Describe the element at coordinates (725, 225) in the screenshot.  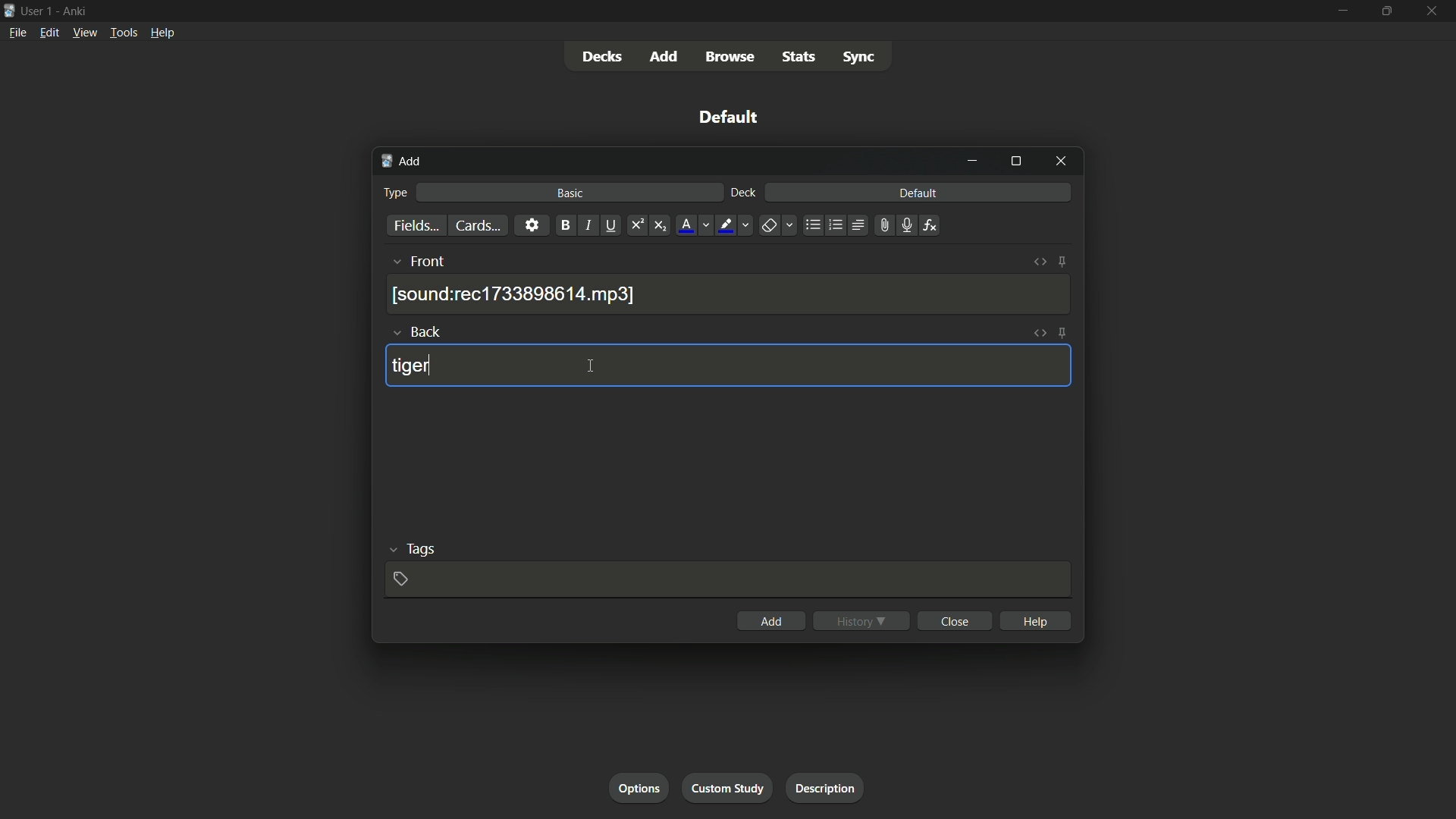
I see `highlight text` at that location.